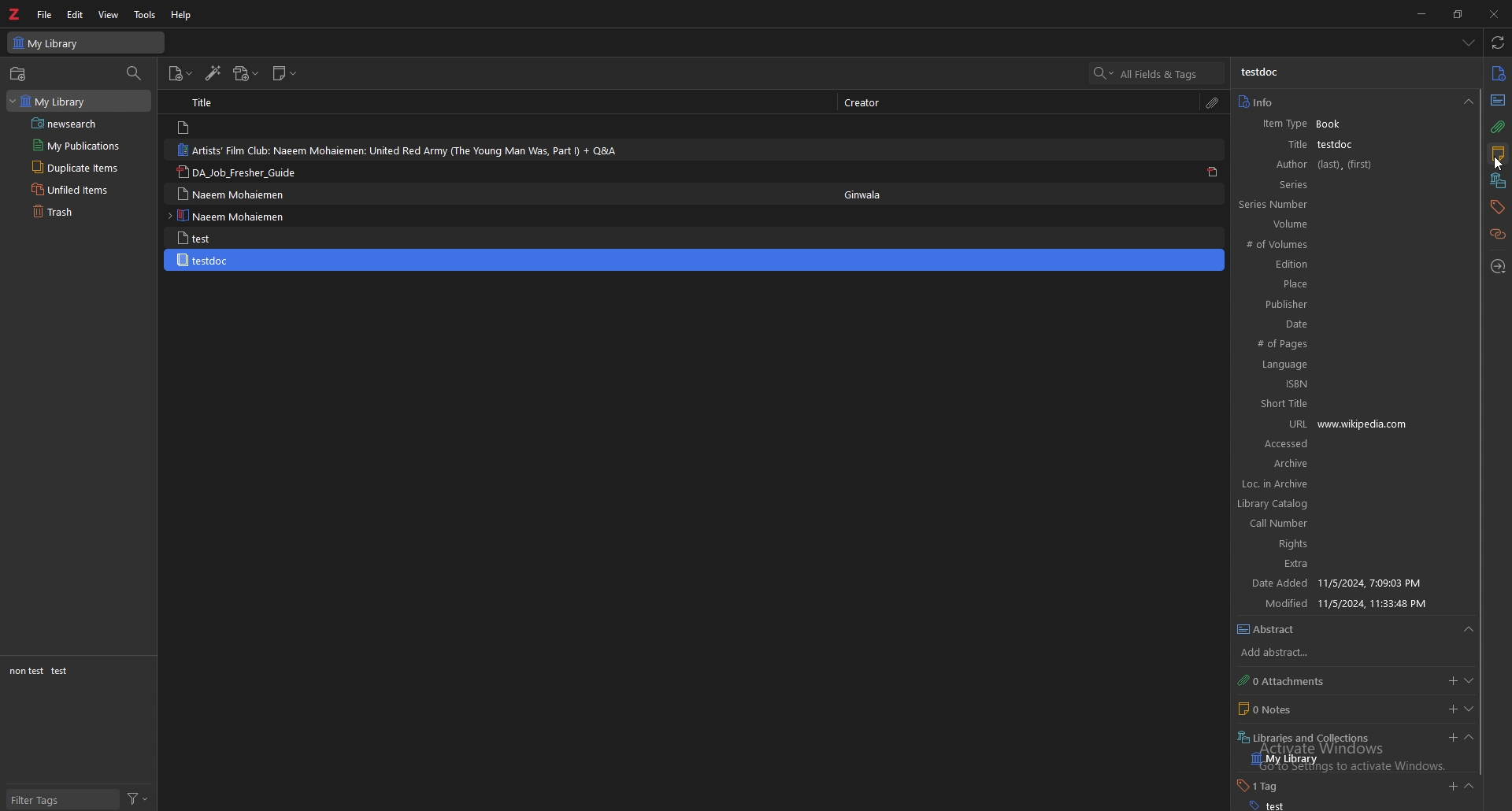 This screenshot has height=811, width=1512. Describe the element at coordinates (1469, 42) in the screenshot. I see `list all tabs` at that location.